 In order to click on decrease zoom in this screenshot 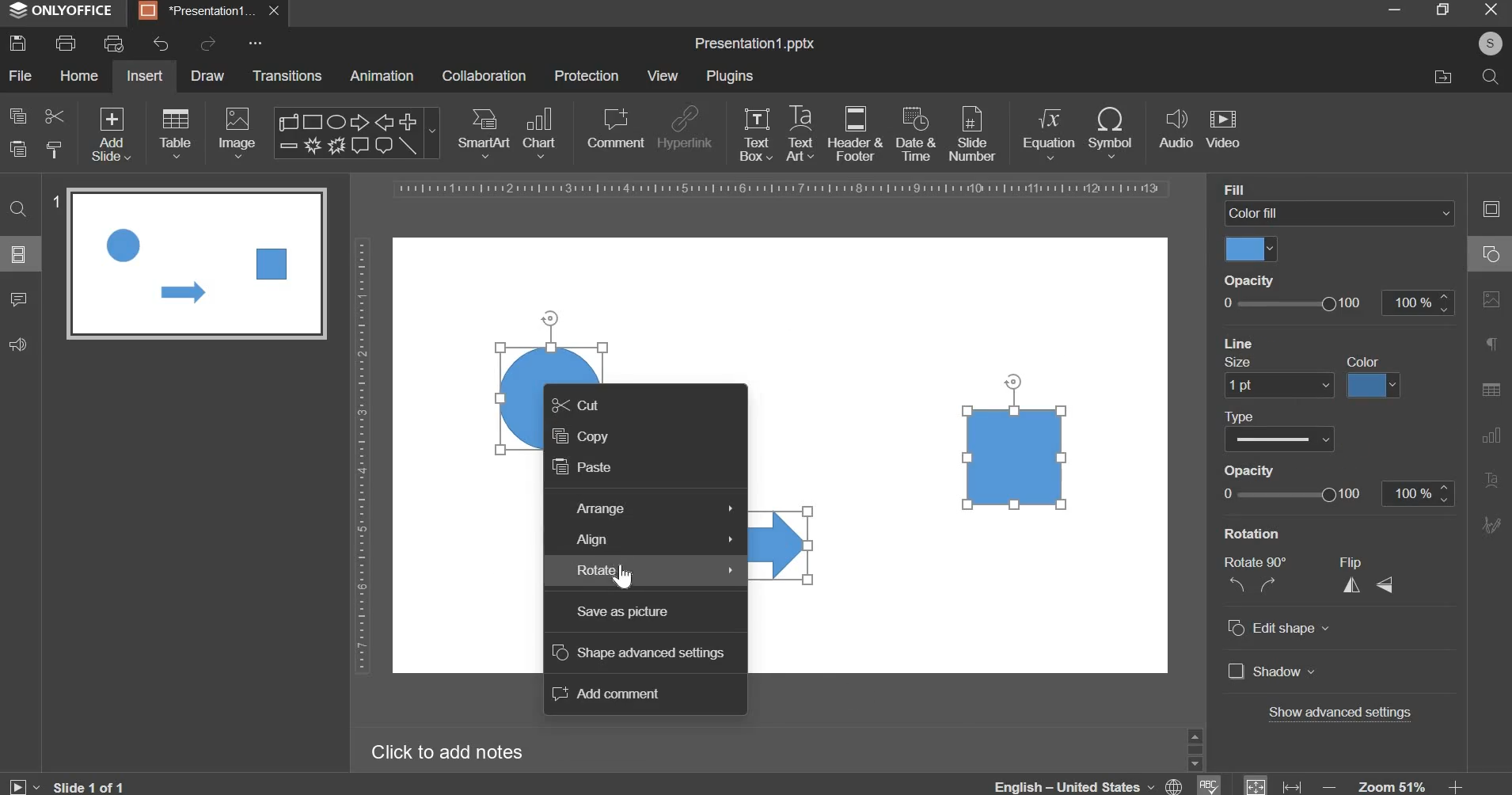, I will do `click(1330, 786)`.